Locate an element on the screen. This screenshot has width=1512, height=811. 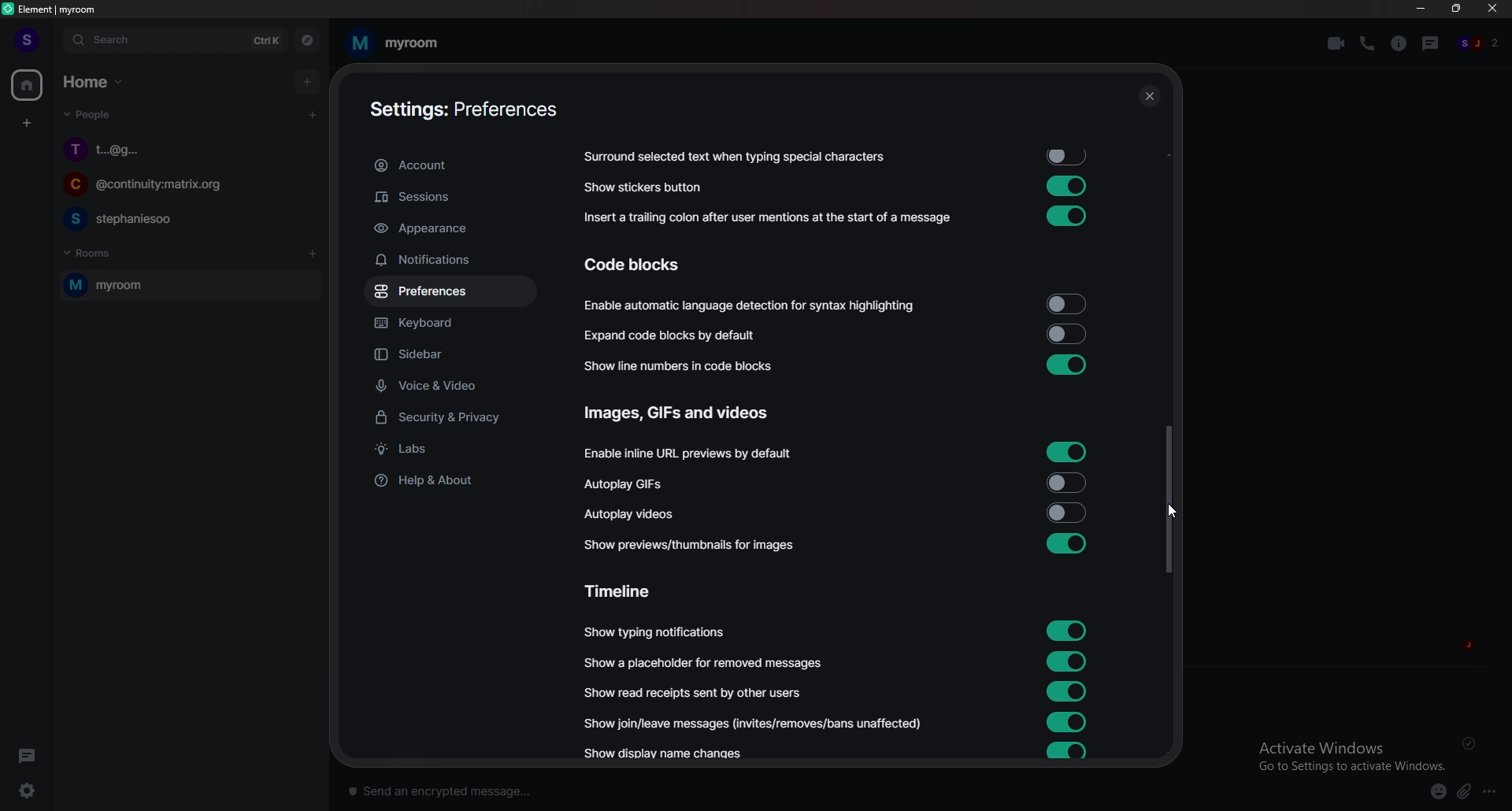
images gif and videos is located at coordinates (680, 413).